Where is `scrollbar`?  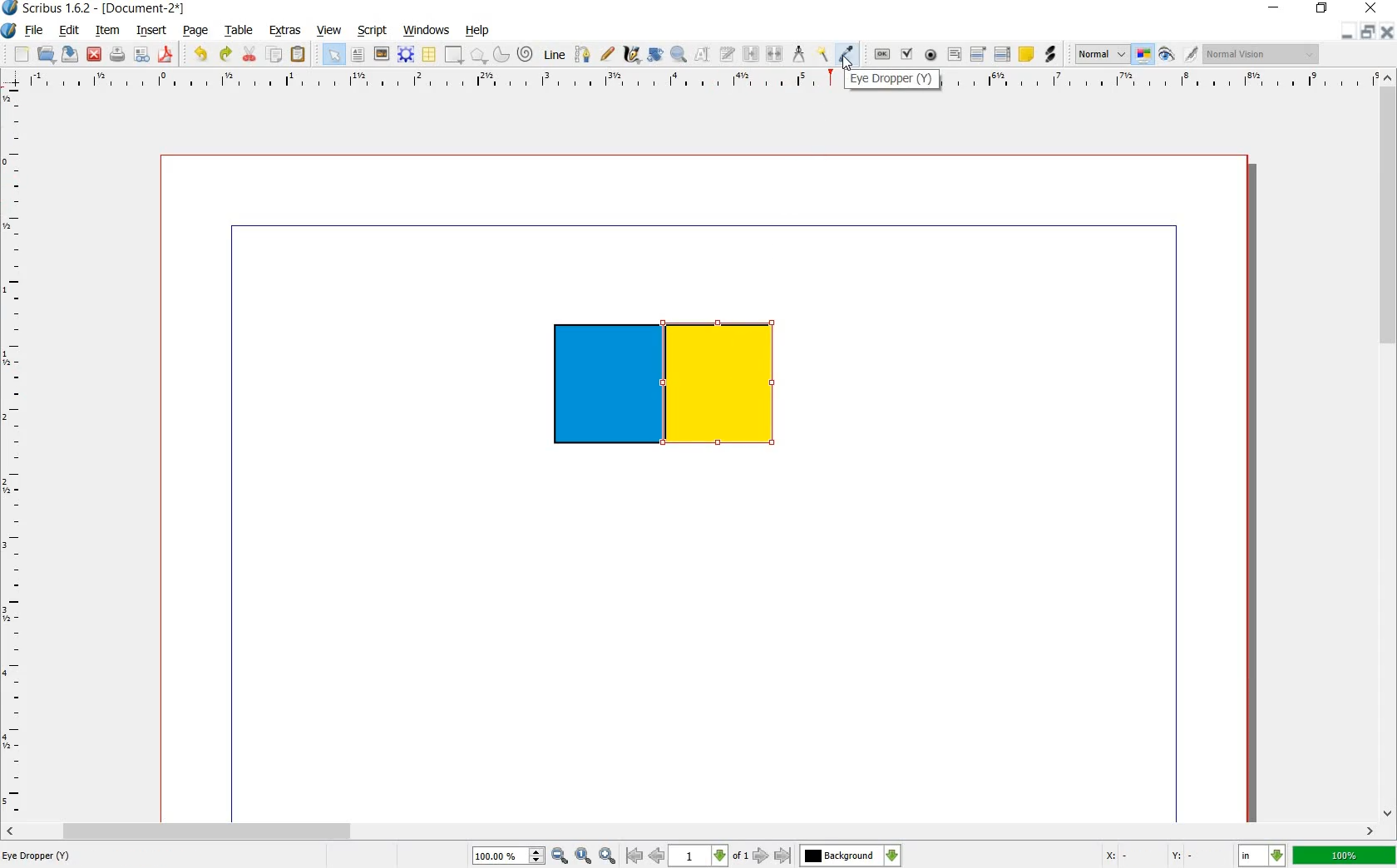
scrollbar is located at coordinates (1389, 451).